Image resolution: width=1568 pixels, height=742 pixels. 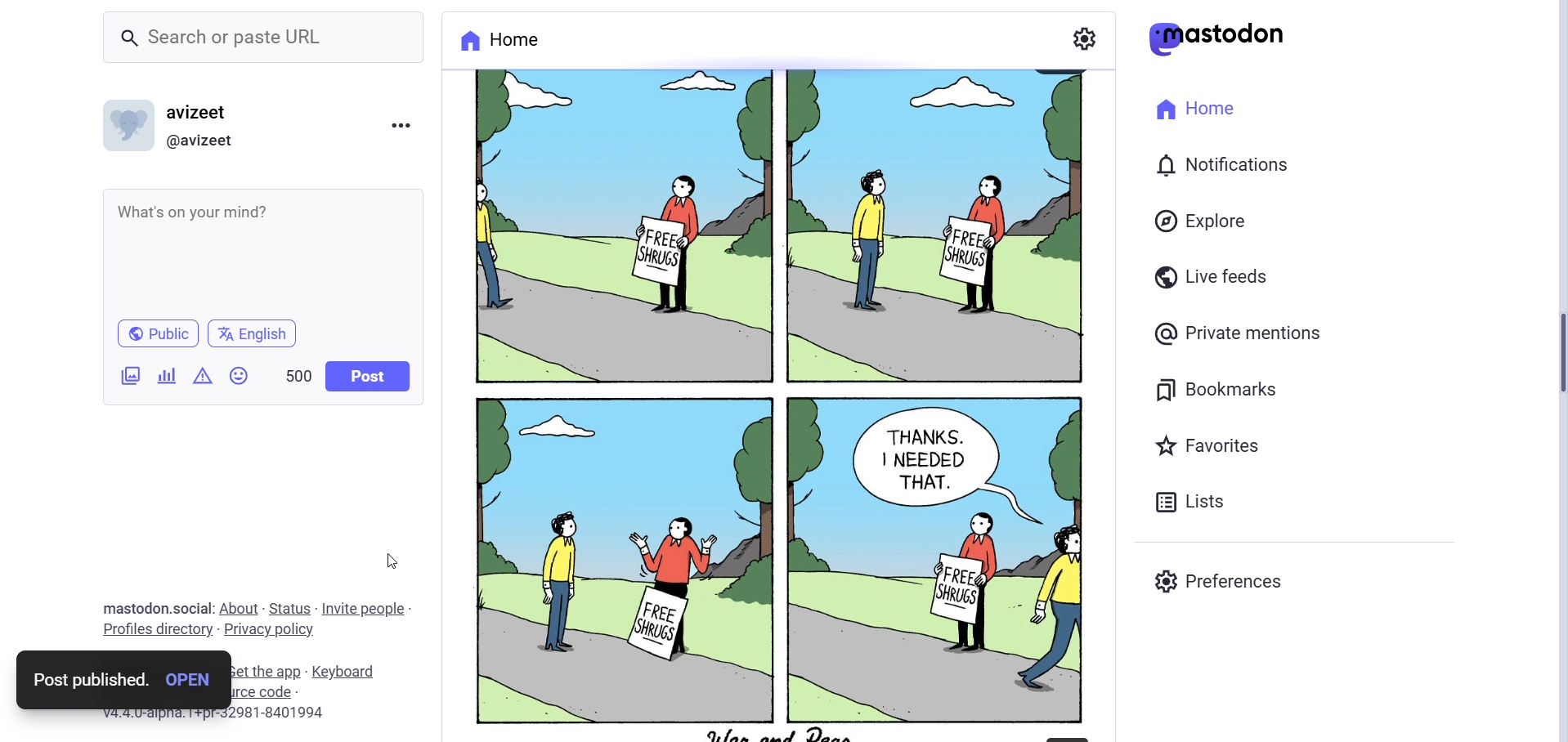 What do you see at coordinates (774, 402) in the screenshot?
I see `Another Post` at bounding box center [774, 402].